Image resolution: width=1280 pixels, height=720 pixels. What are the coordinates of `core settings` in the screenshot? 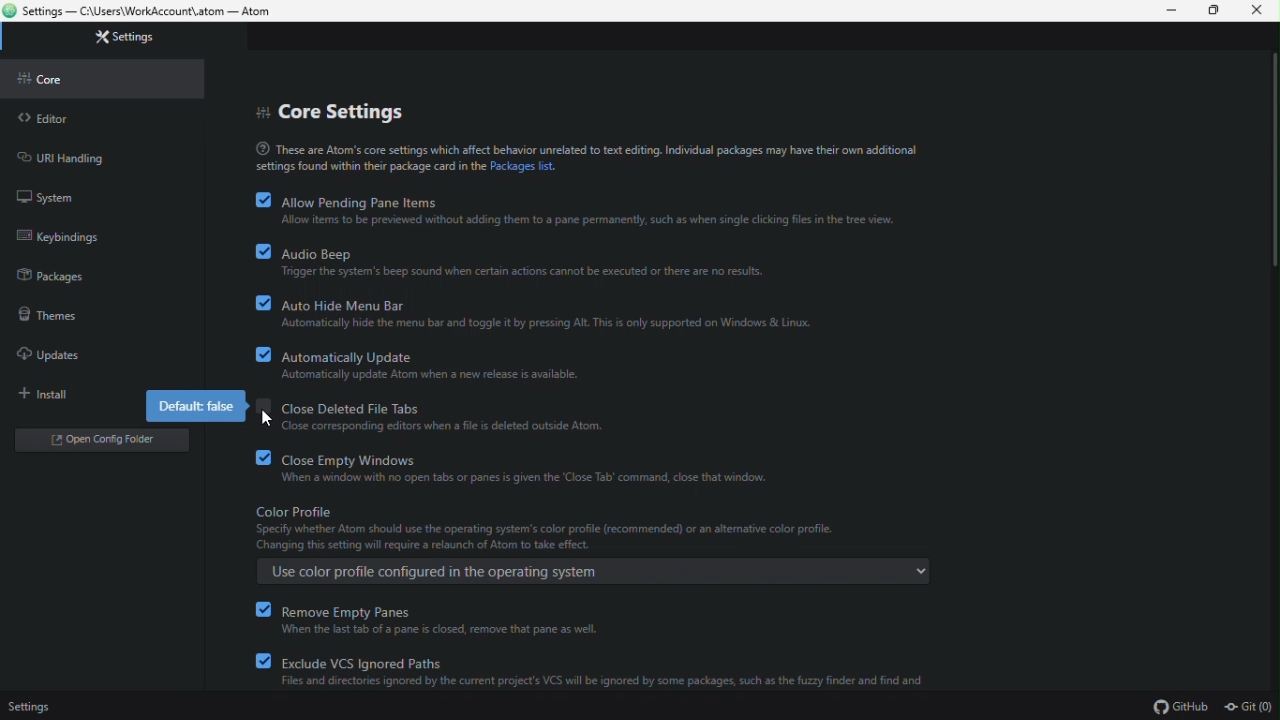 It's located at (332, 109).